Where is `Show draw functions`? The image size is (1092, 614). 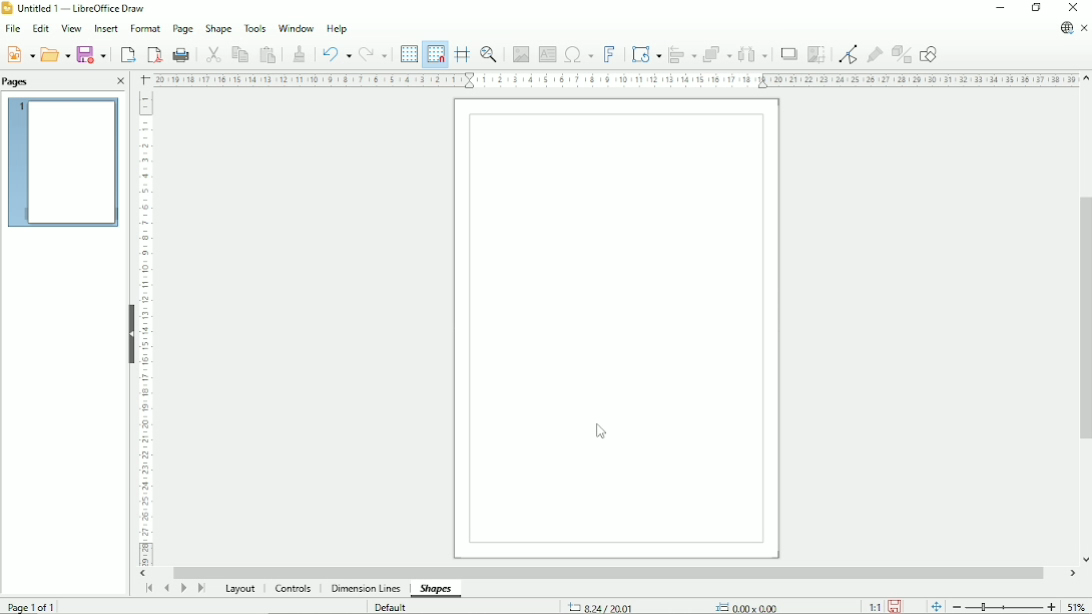 Show draw functions is located at coordinates (930, 54).